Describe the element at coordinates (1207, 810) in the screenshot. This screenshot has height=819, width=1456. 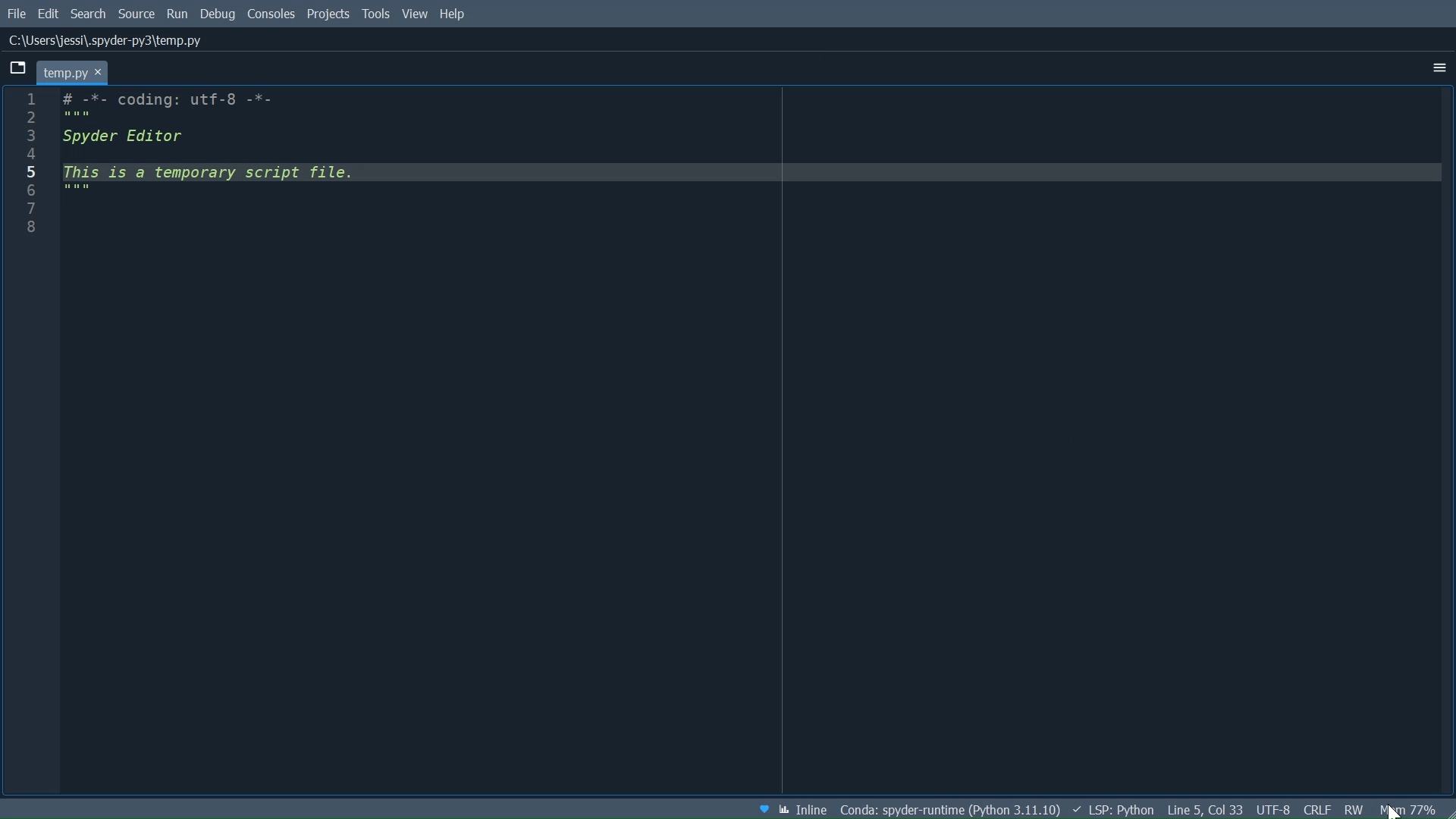
I see `Cursor Position` at that location.